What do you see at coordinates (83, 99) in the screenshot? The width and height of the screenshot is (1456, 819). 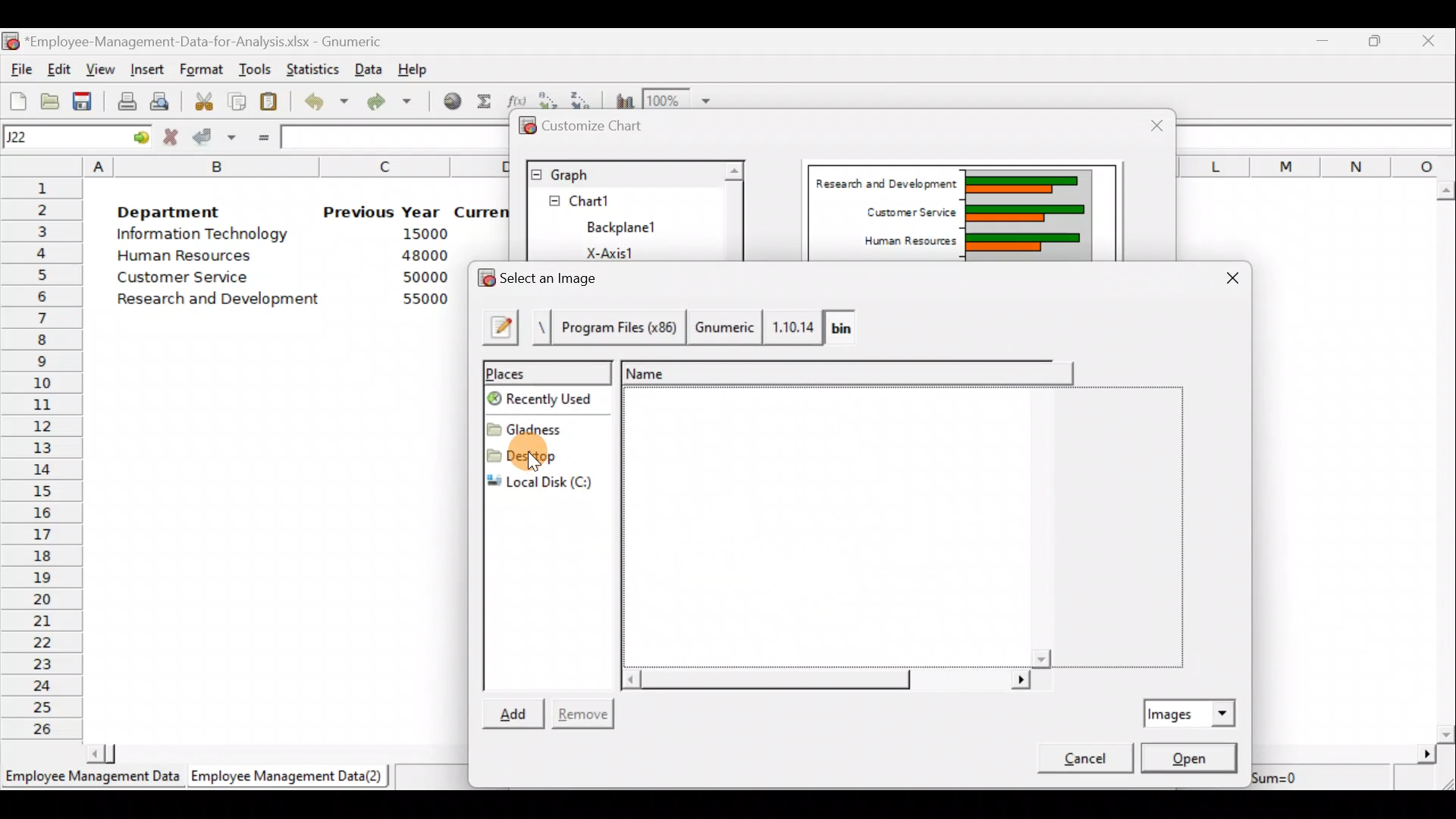 I see `Save the current workbook` at bounding box center [83, 99].